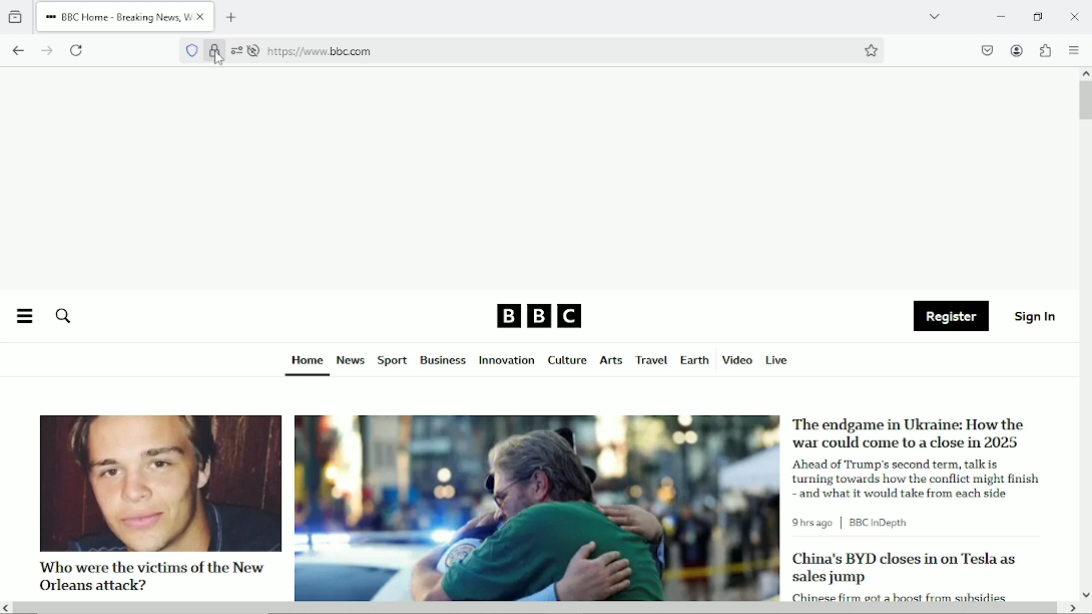 This screenshot has width=1092, height=614. What do you see at coordinates (213, 53) in the screenshot?
I see `Verified by Google Trust Services` at bounding box center [213, 53].